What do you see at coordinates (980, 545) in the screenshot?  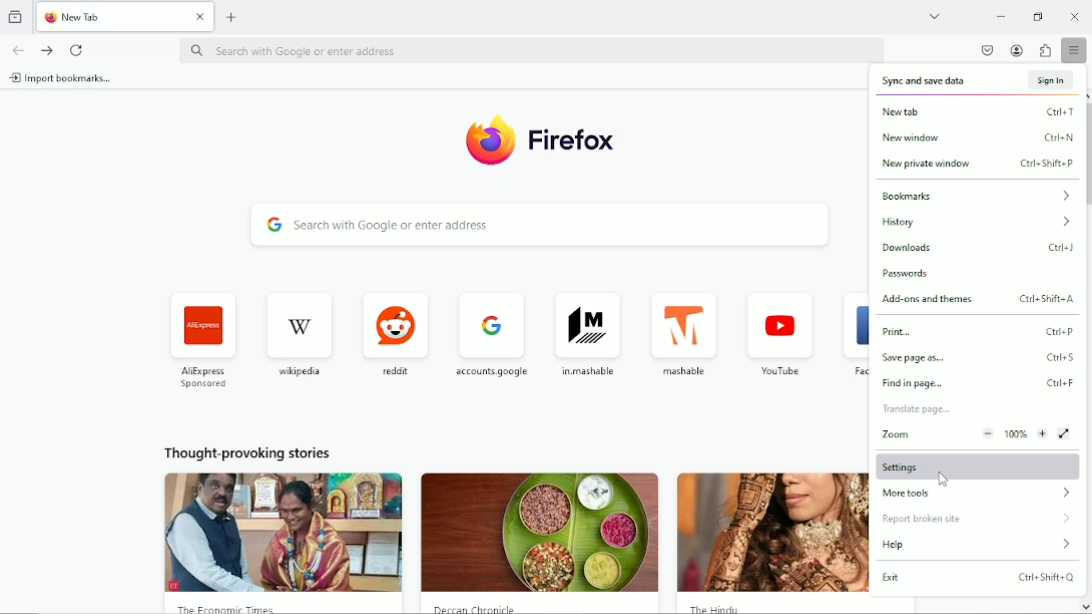 I see `help` at bounding box center [980, 545].